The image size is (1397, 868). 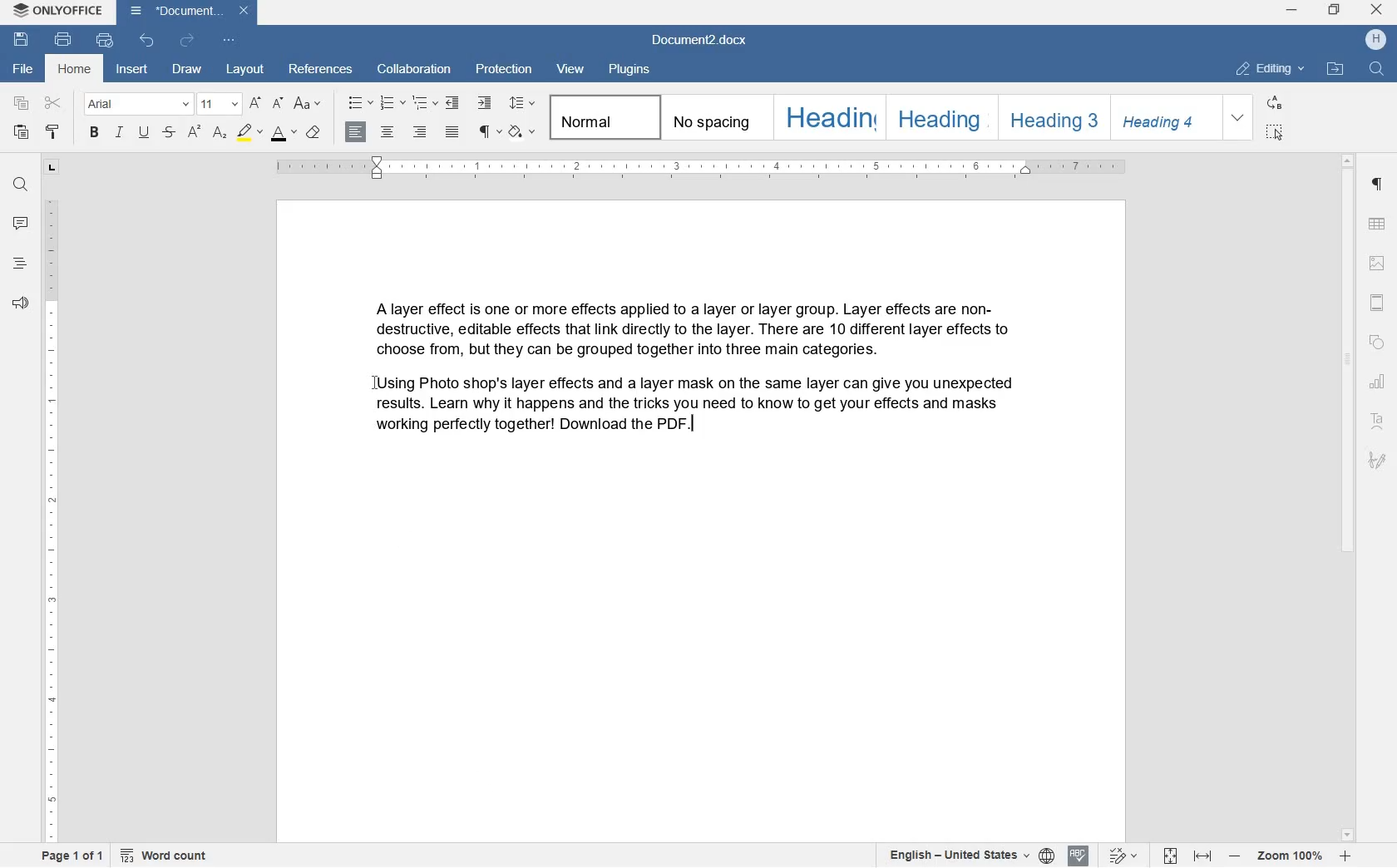 I want to click on ITALIC, so click(x=118, y=134).